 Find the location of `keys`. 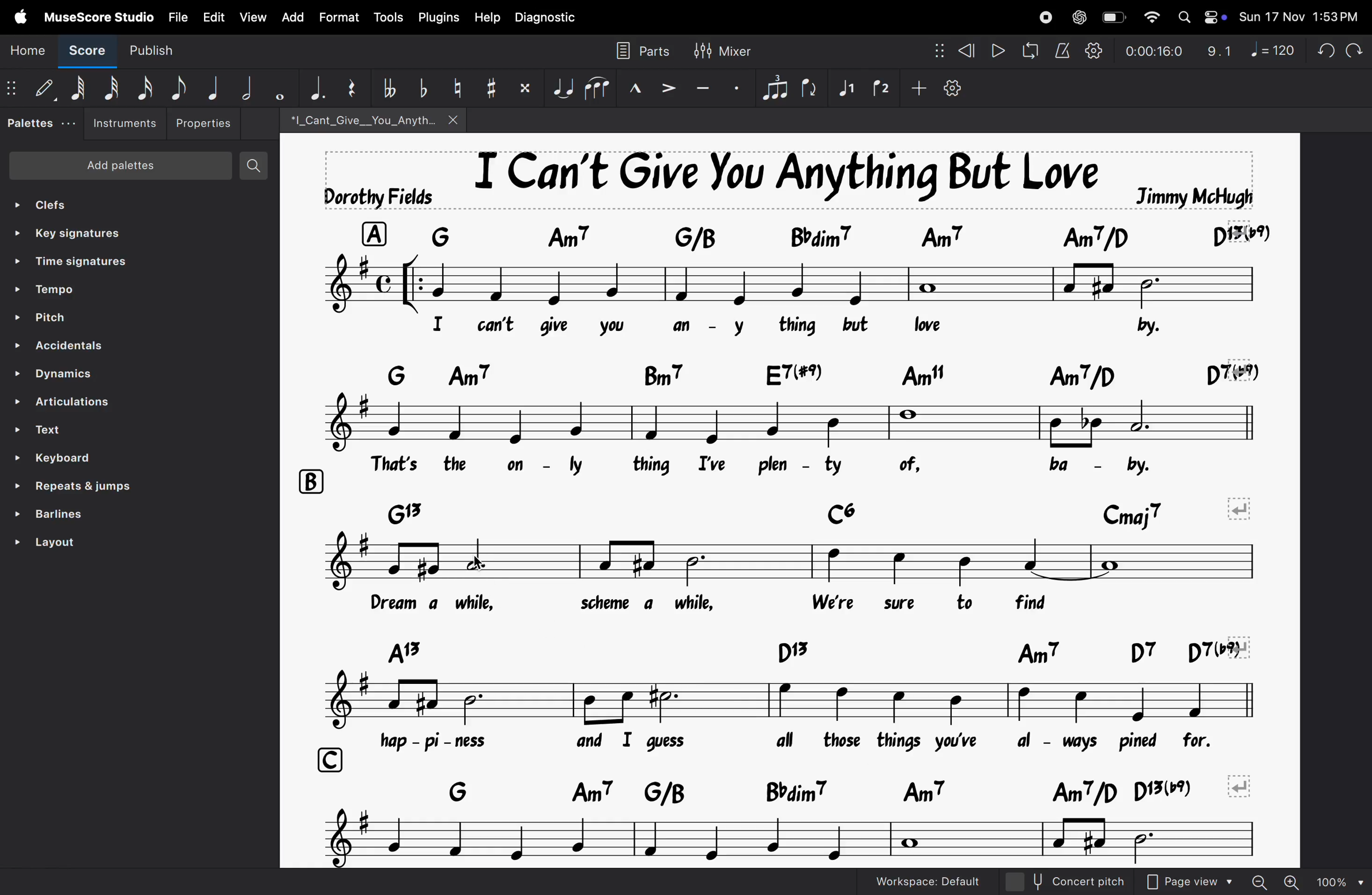

keys is located at coordinates (806, 652).